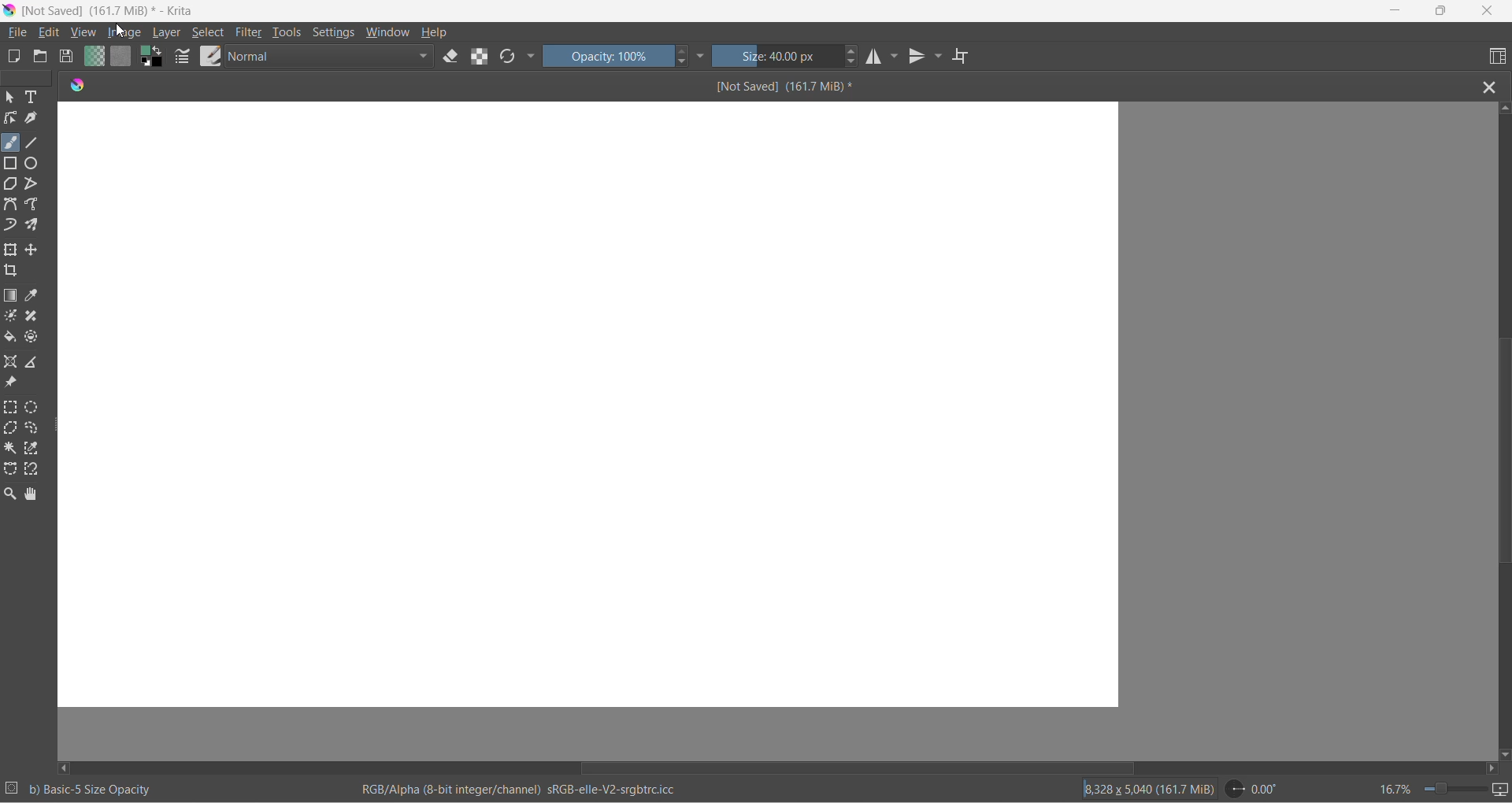 This screenshot has width=1512, height=803. What do you see at coordinates (857, 62) in the screenshot?
I see `decrement size` at bounding box center [857, 62].